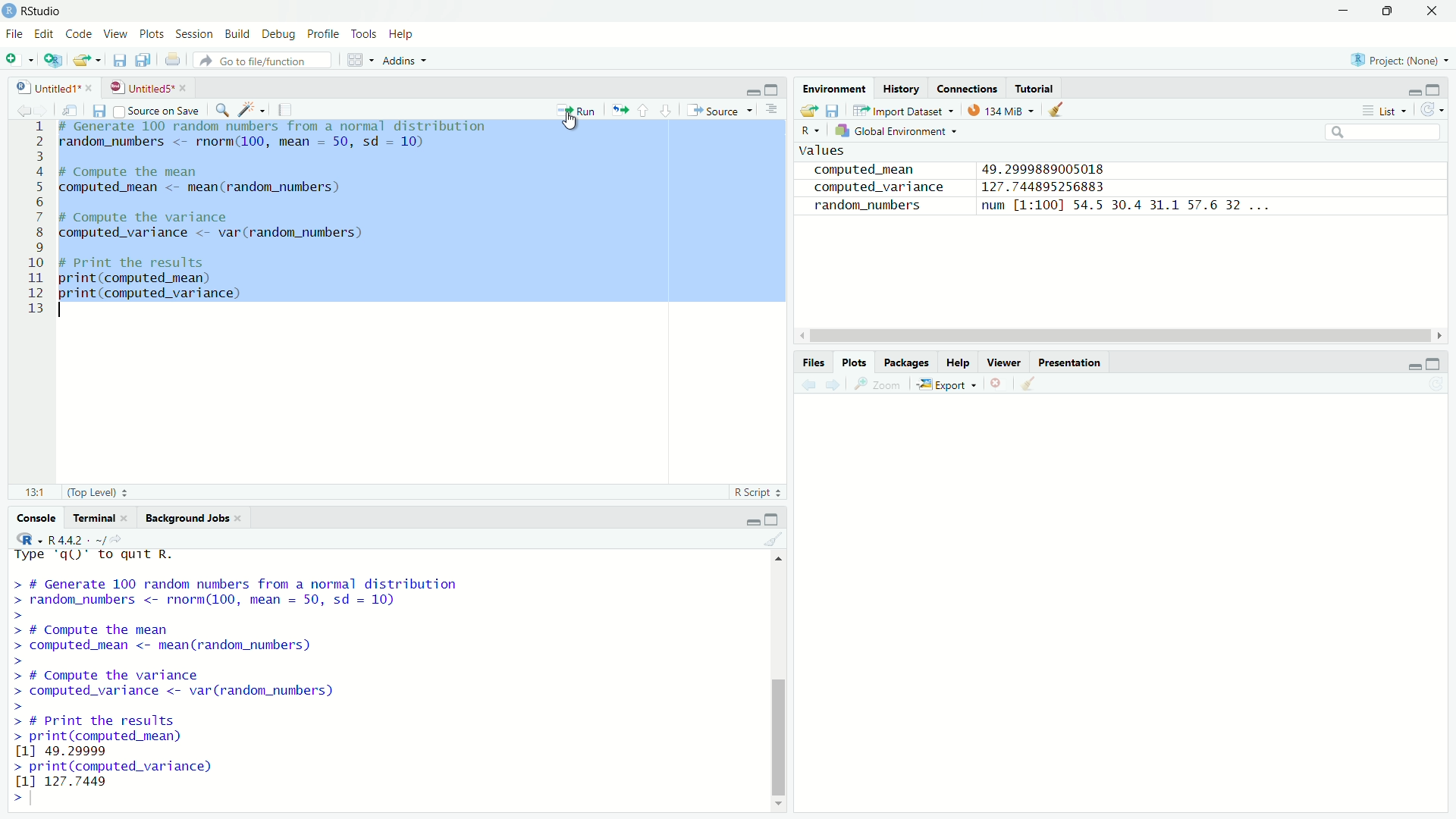 The image size is (1456, 819). I want to click on find/replace, so click(221, 108).